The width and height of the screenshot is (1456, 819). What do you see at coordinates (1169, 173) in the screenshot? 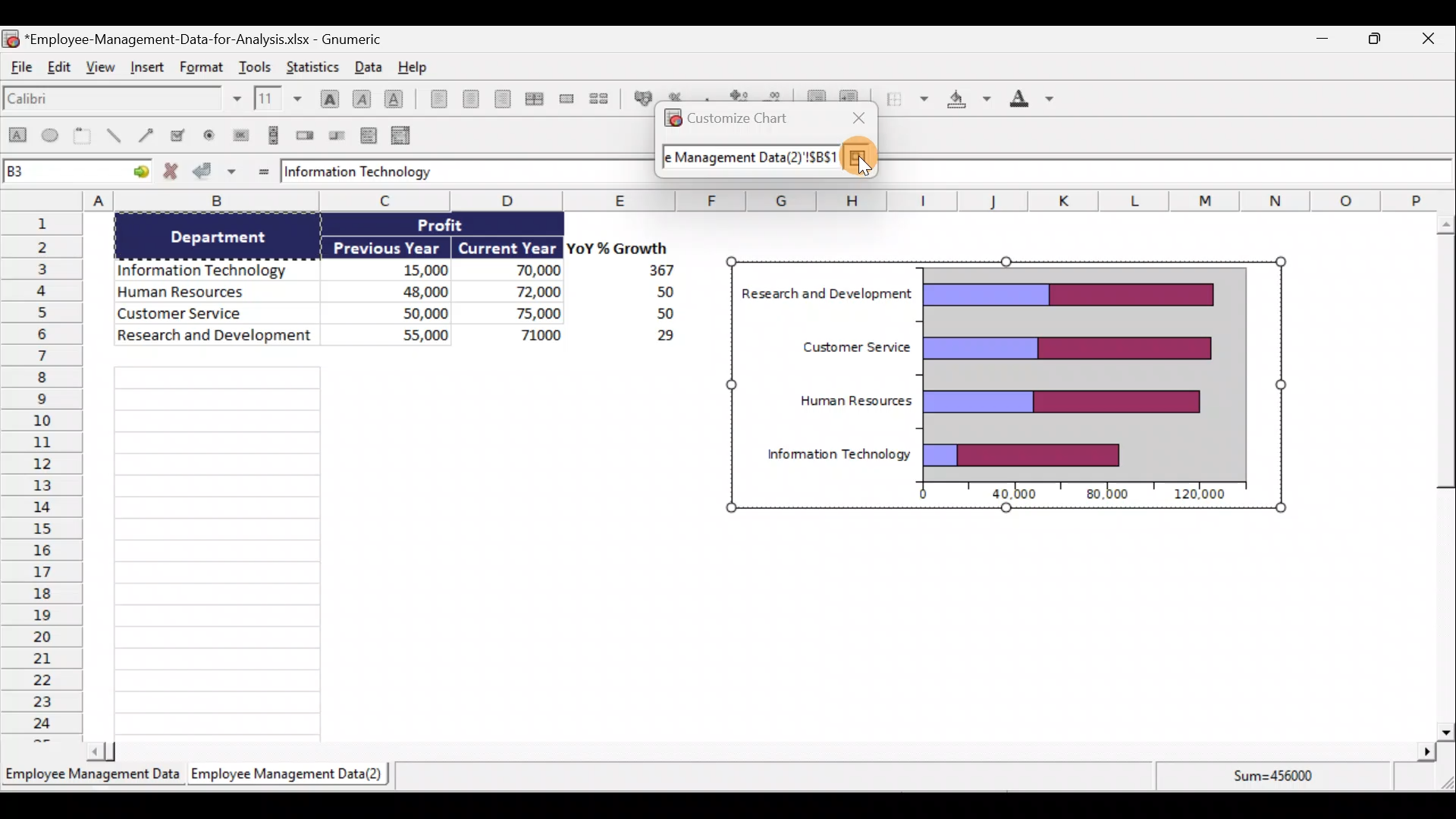
I see `Formula bar` at bounding box center [1169, 173].